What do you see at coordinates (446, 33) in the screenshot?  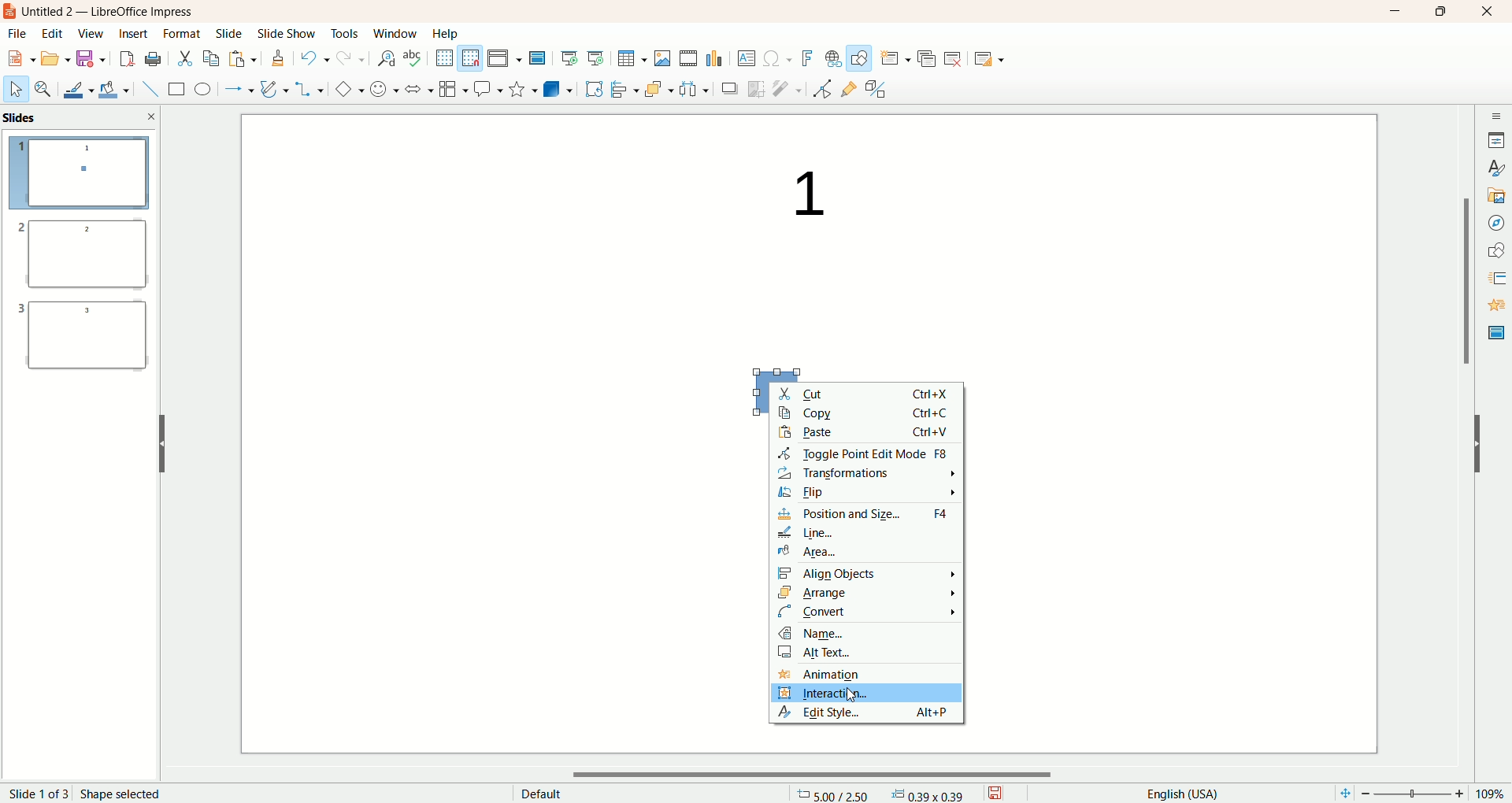 I see `help` at bounding box center [446, 33].